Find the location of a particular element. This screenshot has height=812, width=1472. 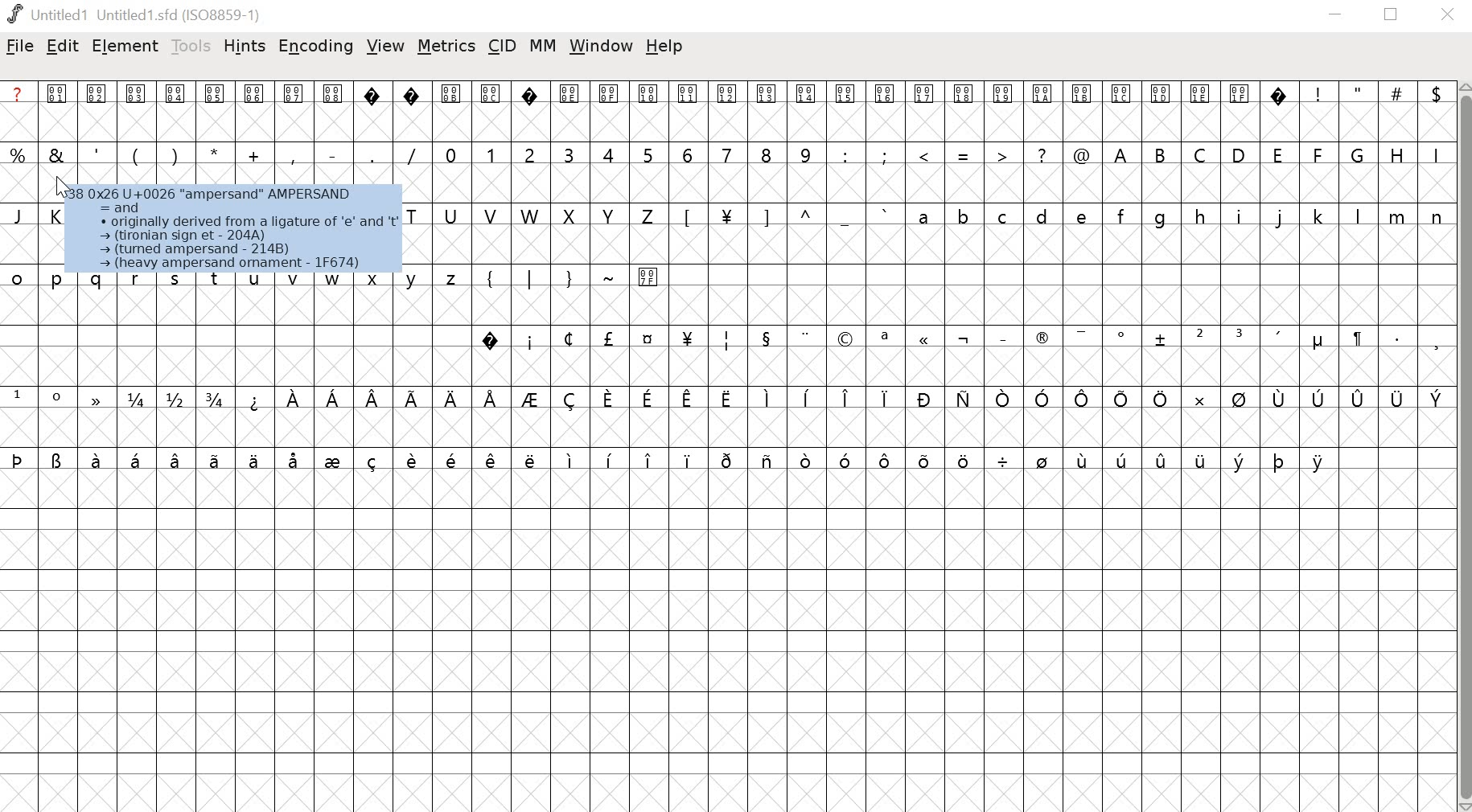

0008 is located at coordinates (332, 110).